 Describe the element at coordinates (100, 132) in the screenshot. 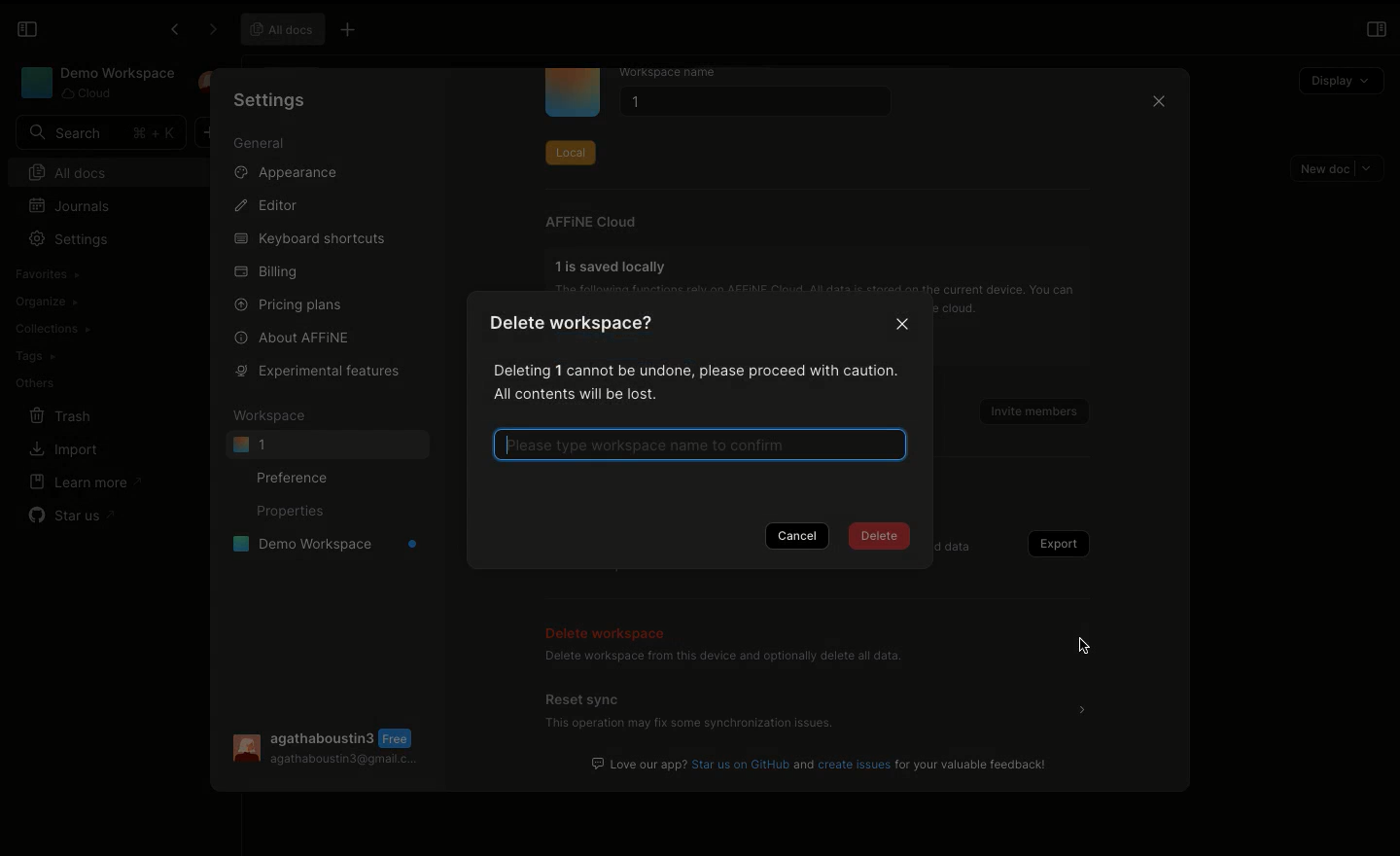

I see `Search` at that location.